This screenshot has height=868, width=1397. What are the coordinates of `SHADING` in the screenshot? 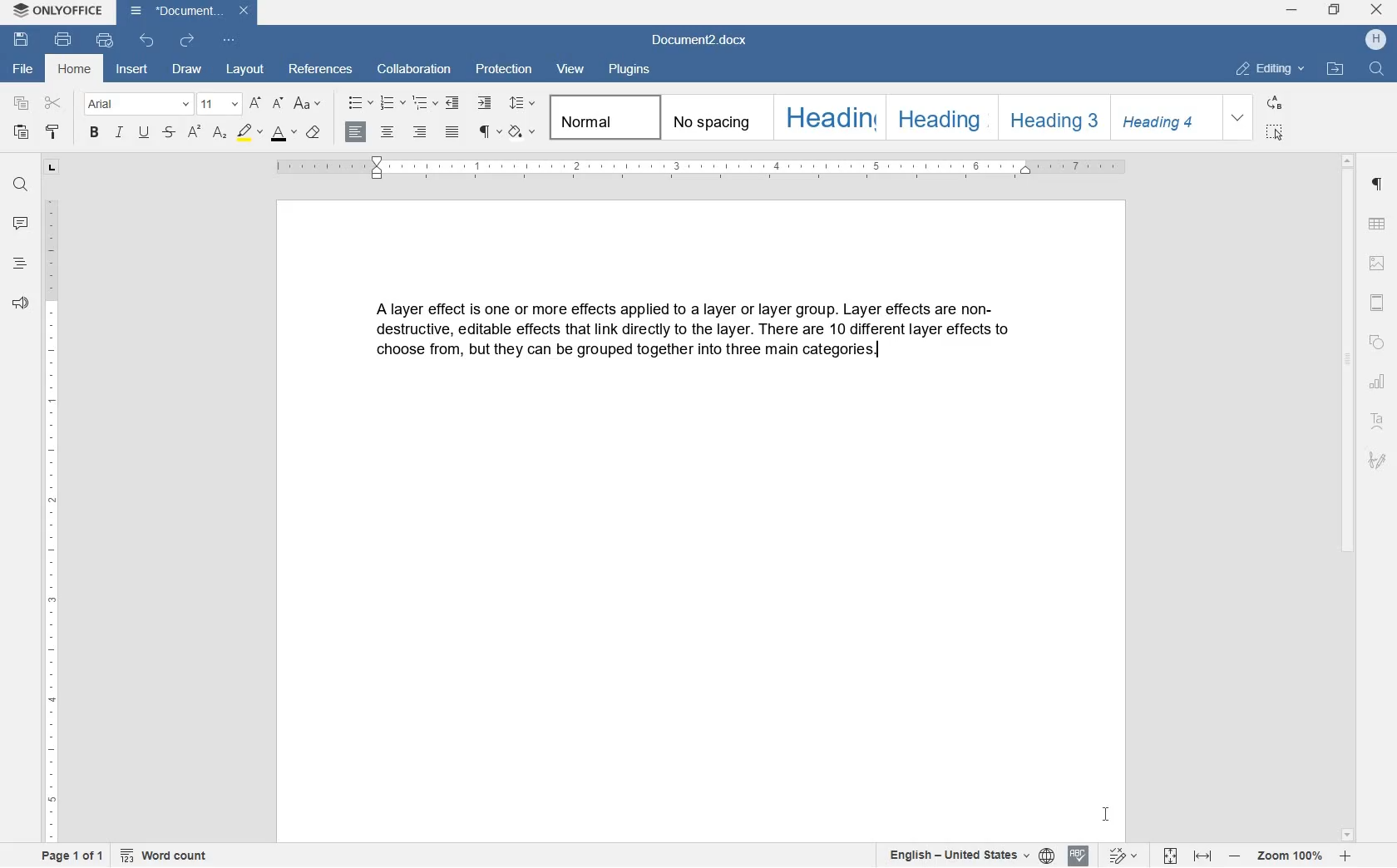 It's located at (521, 133).